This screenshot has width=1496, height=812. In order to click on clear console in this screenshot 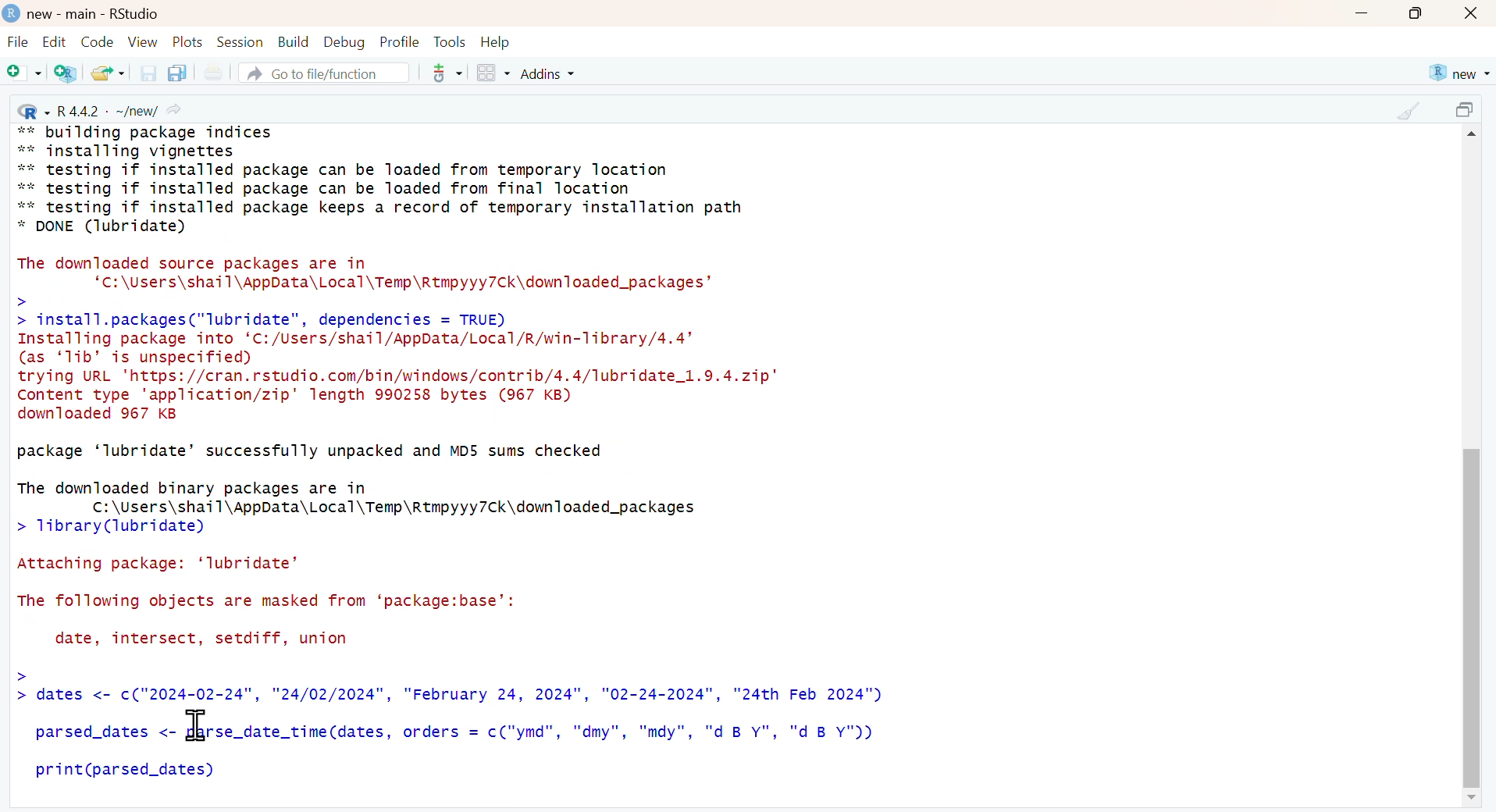, I will do `click(1408, 111)`.